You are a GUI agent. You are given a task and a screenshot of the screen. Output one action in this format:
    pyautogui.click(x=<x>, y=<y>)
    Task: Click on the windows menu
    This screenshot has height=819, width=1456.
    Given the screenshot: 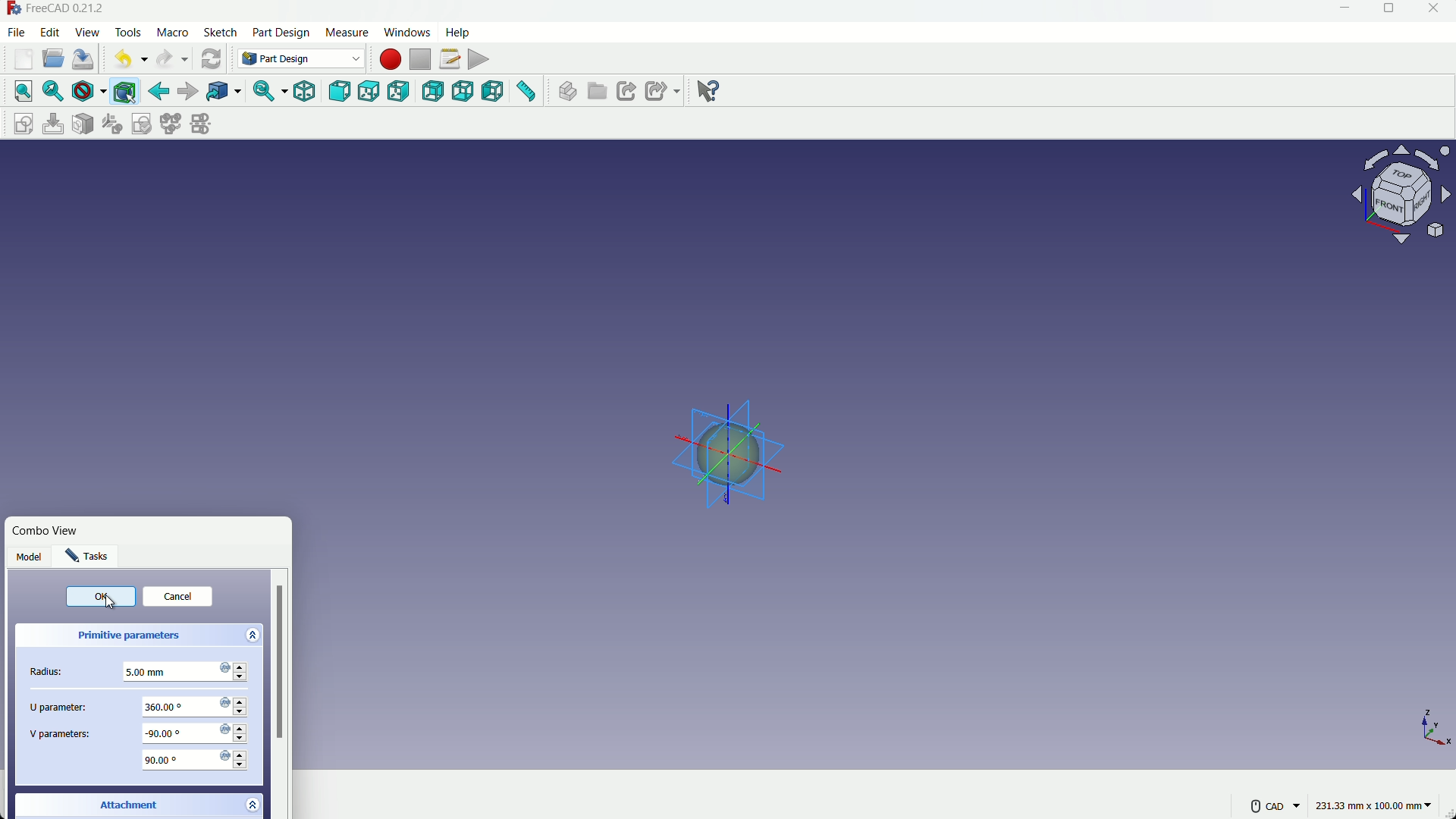 What is the action you would take?
    pyautogui.click(x=406, y=32)
    